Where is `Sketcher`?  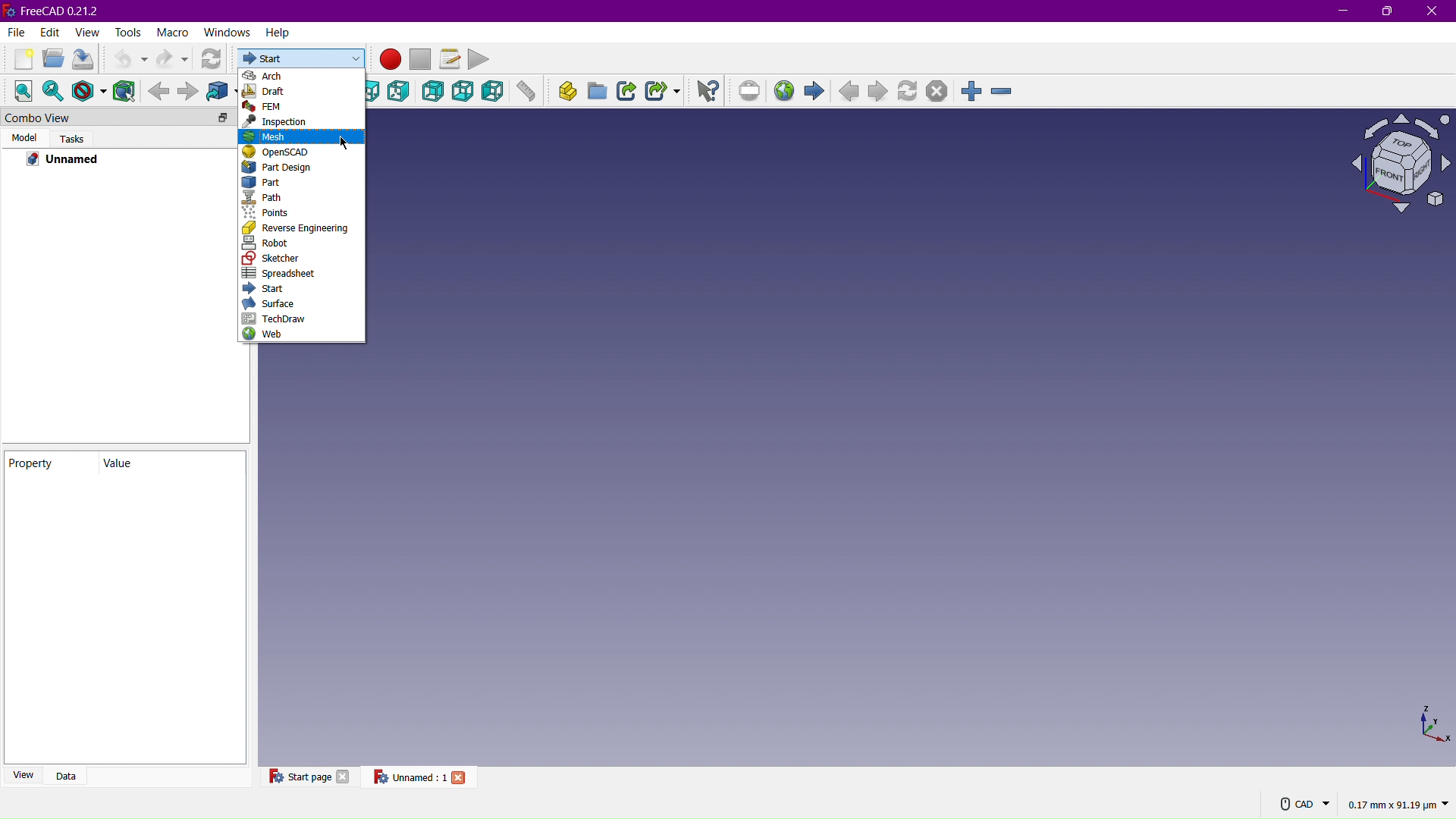 Sketcher is located at coordinates (284, 258).